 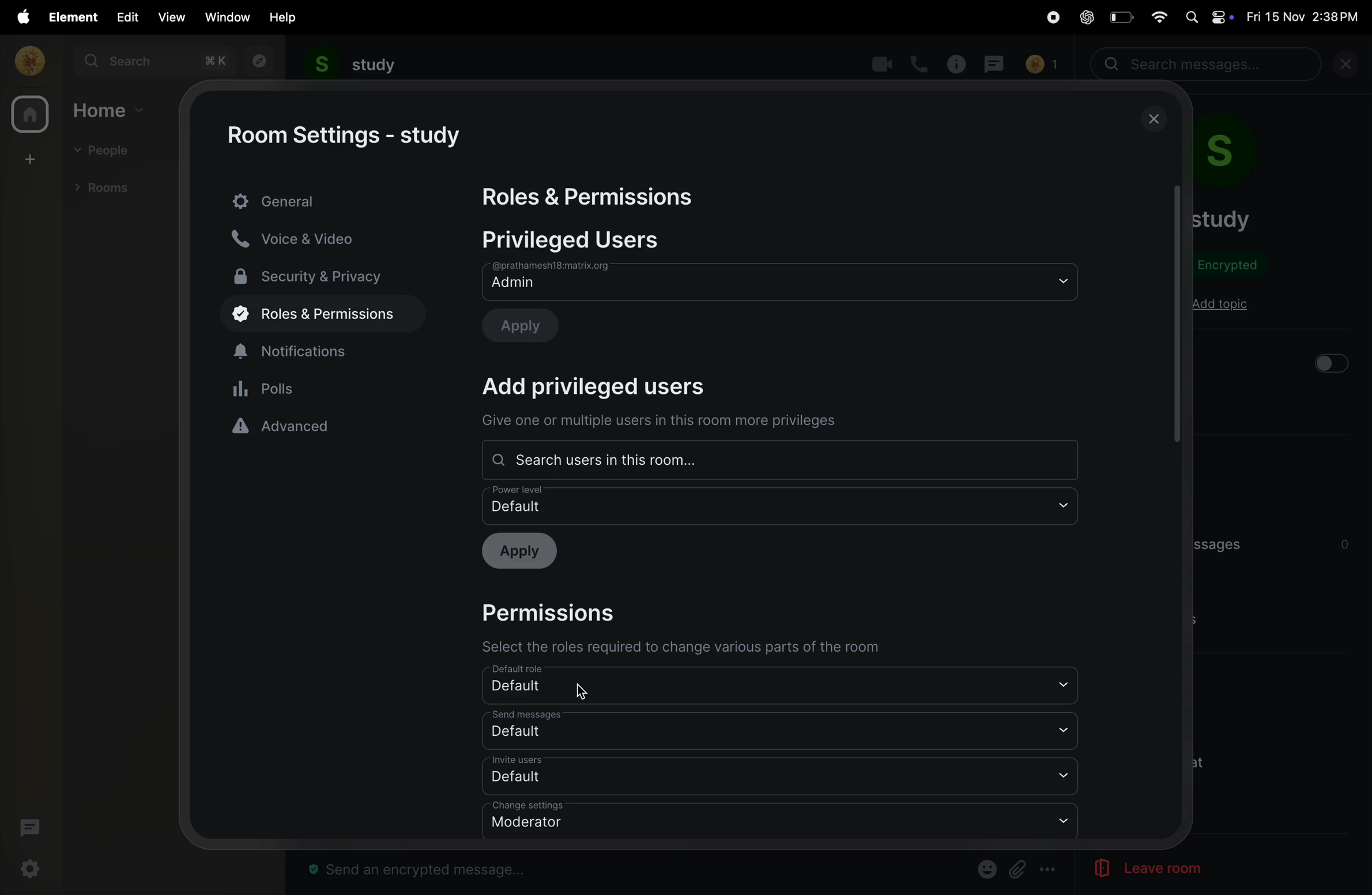 I want to click on element menu, so click(x=70, y=16).